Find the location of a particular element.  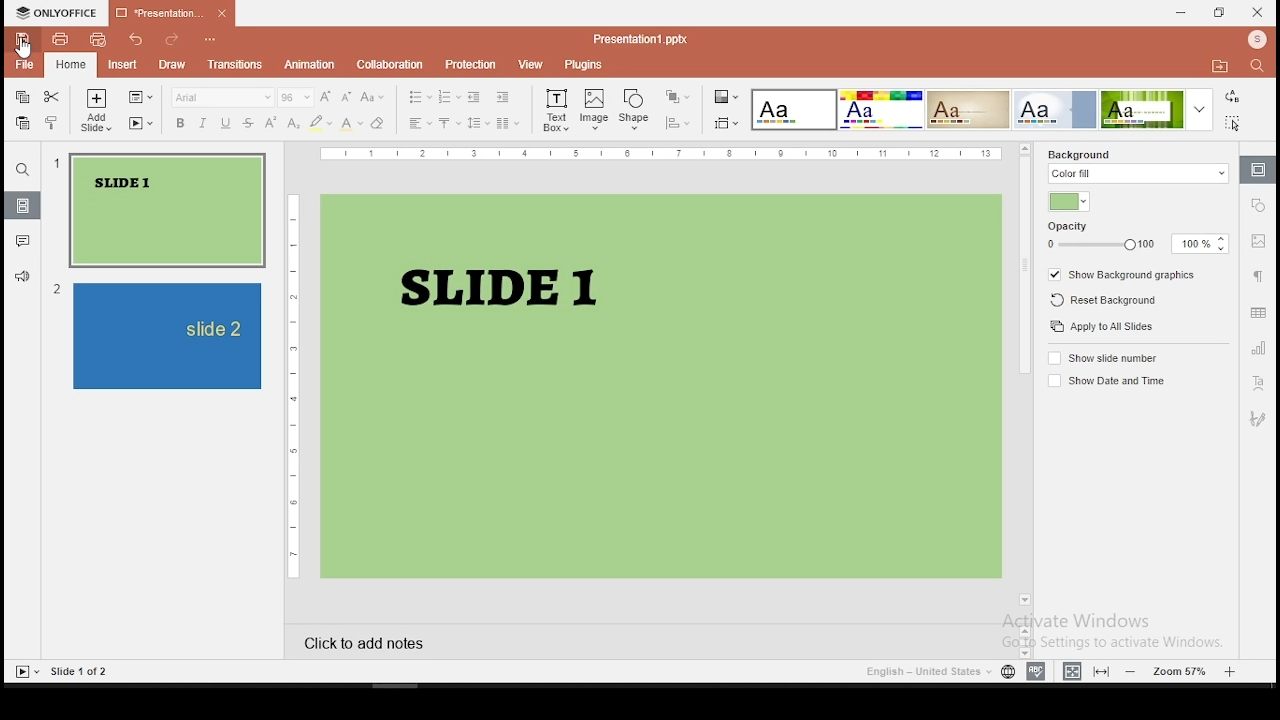

font size is located at coordinates (295, 98).